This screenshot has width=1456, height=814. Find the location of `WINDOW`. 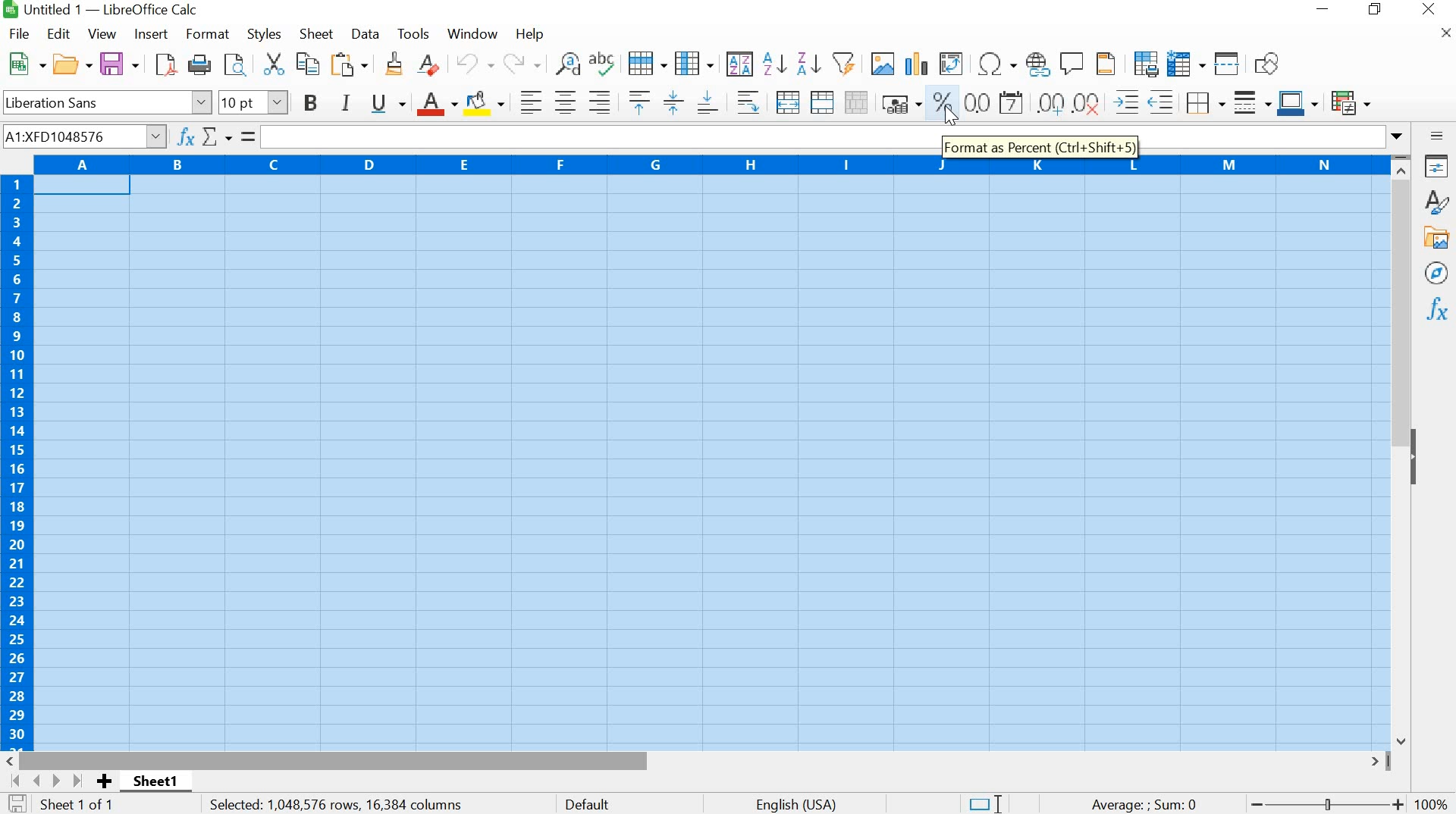

WINDOW is located at coordinates (472, 36).